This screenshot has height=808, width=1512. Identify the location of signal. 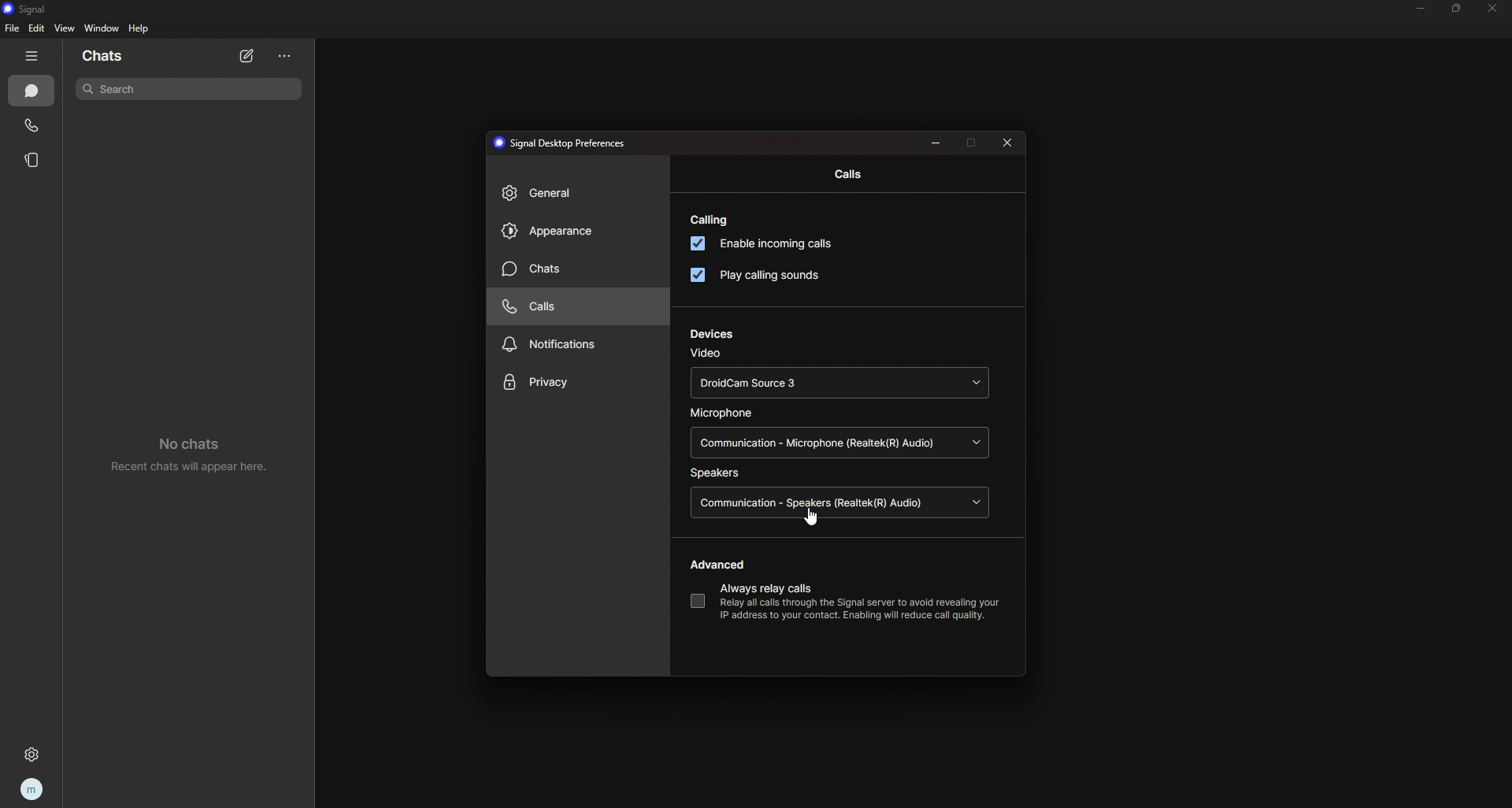
(31, 9).